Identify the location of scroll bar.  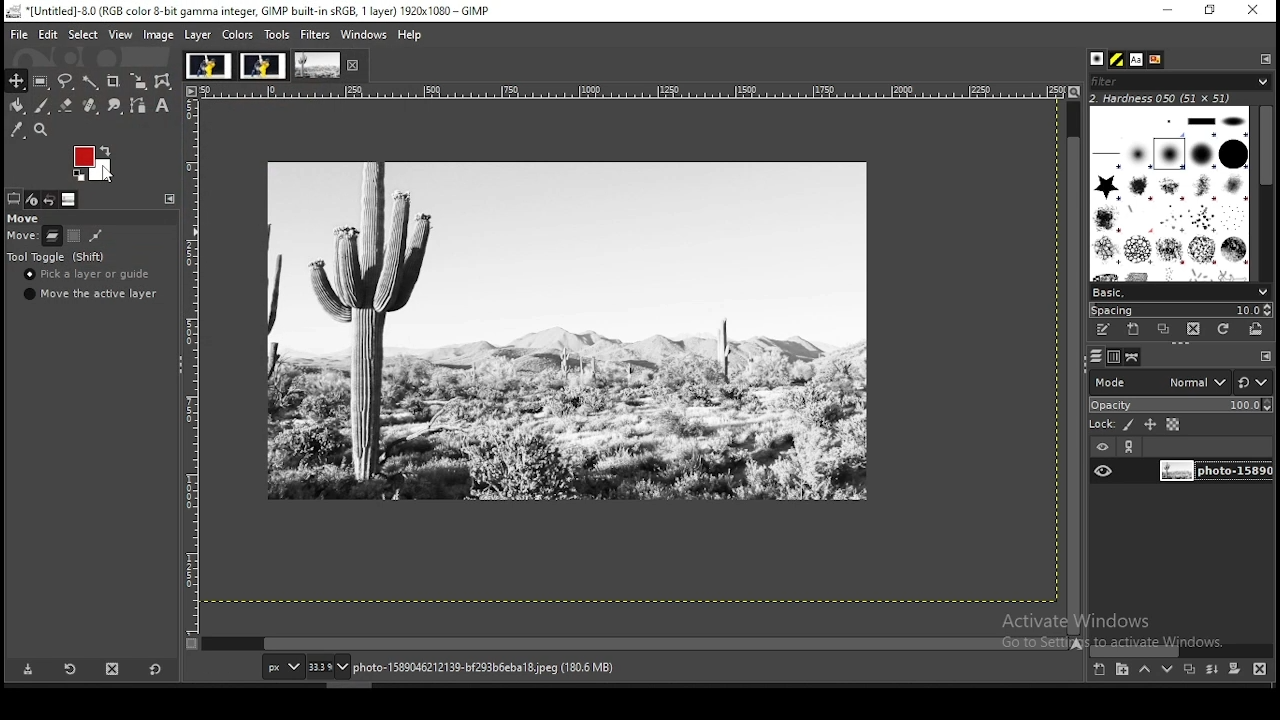
(1074, 366).